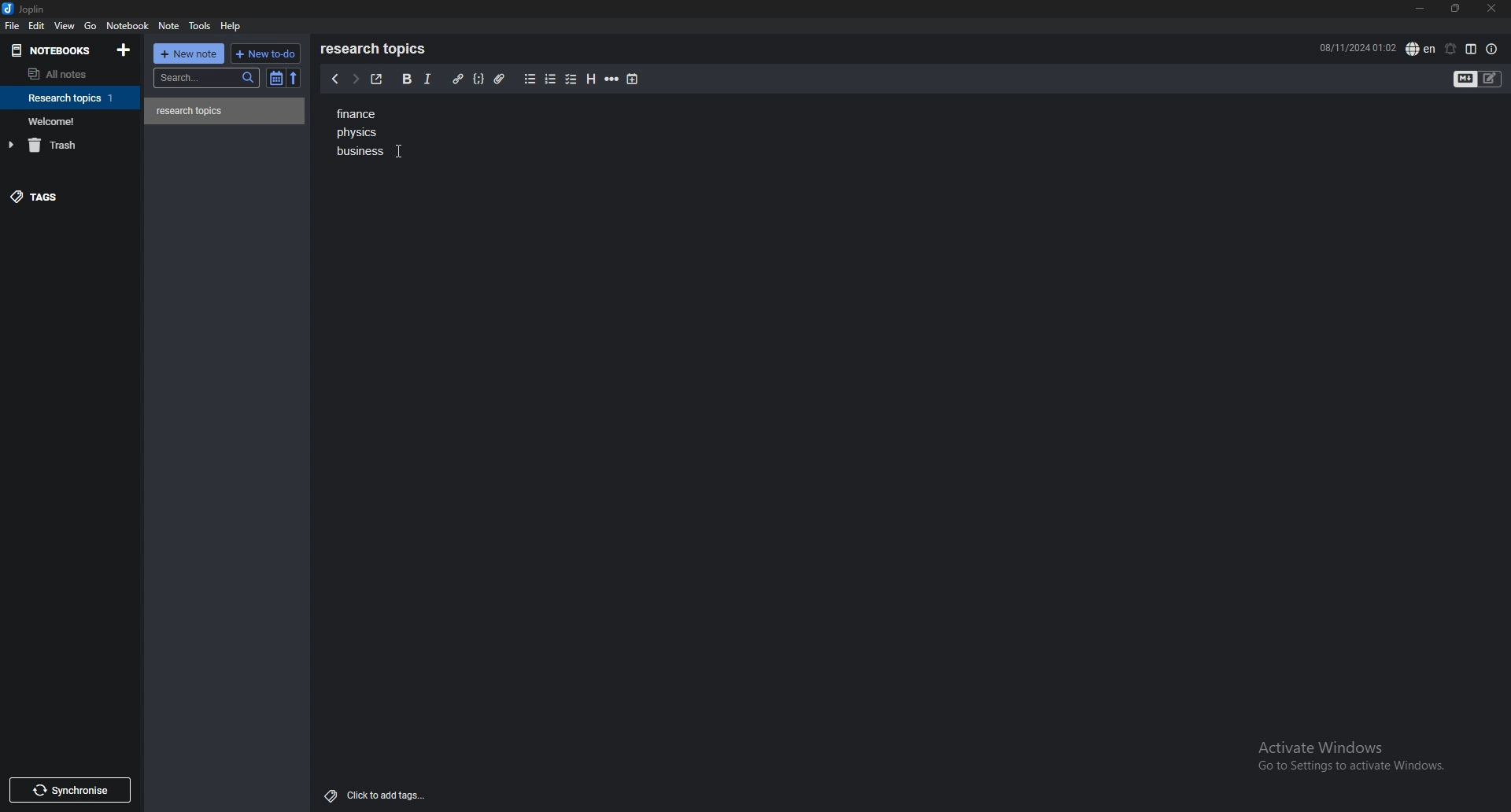  Describe the element at coordinates (233, 25) in the screenshot. I see `help` at that location.